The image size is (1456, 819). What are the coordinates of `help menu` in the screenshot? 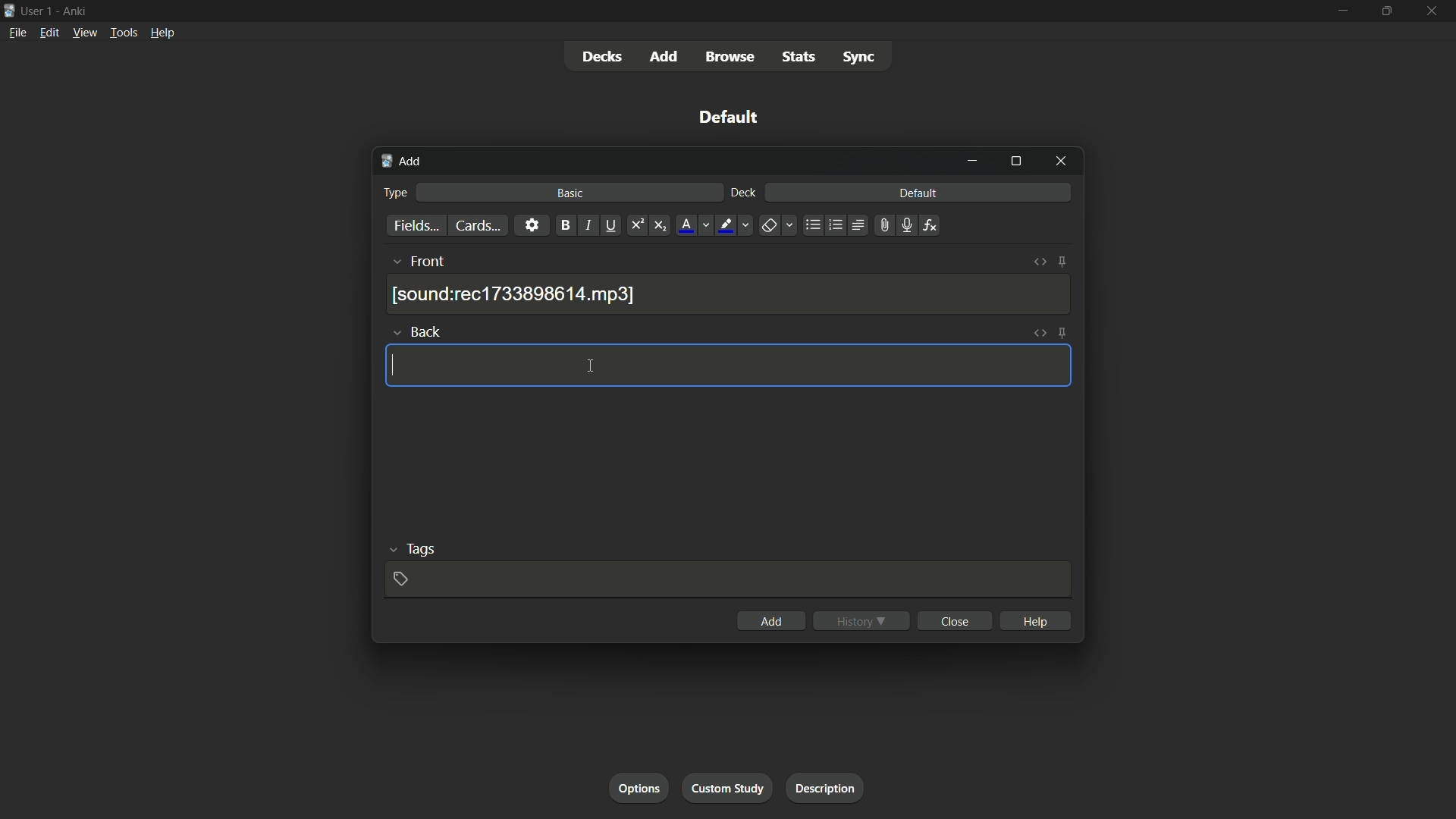 It's located at (162, 33).